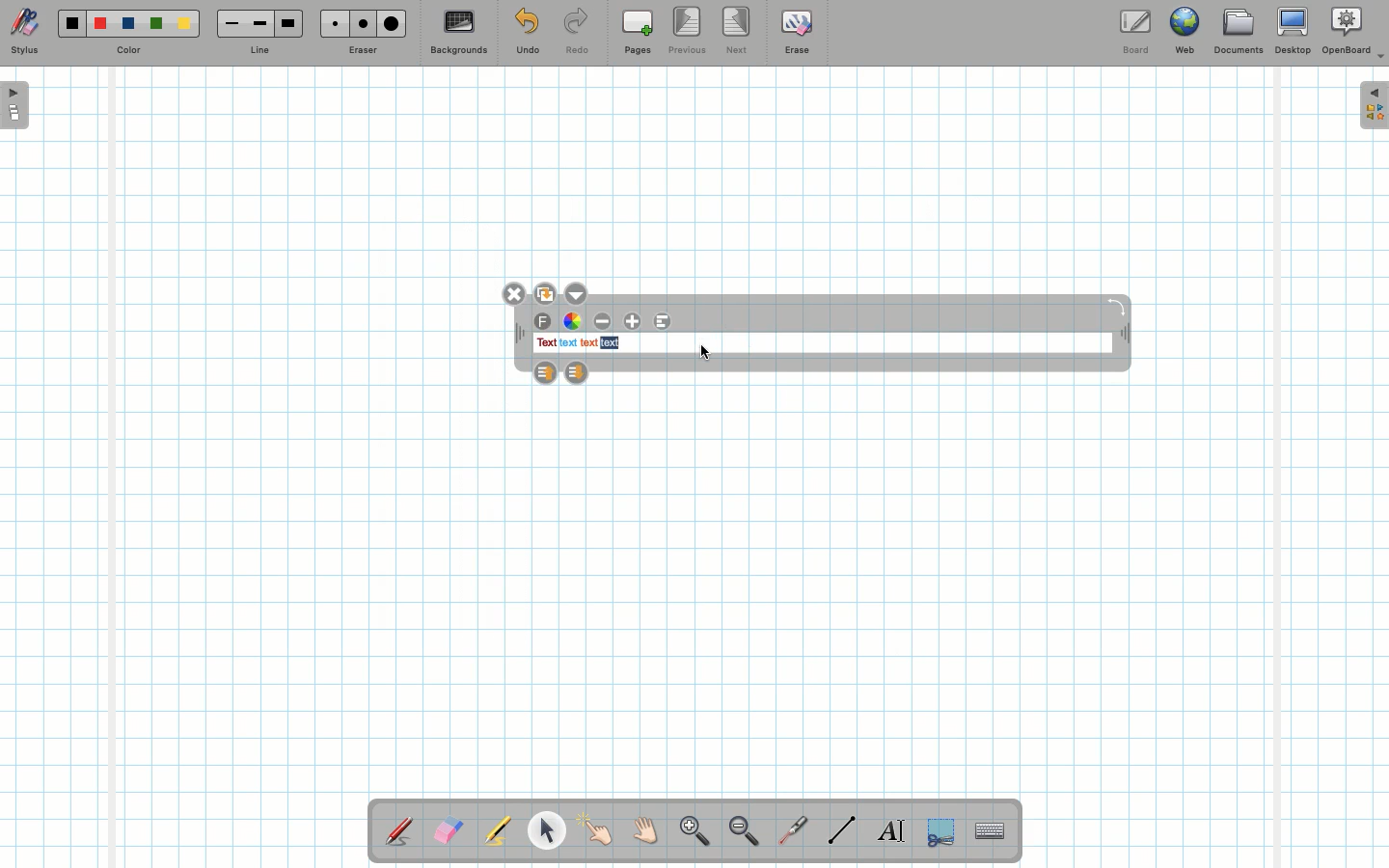  Describe the element at coordinates (496, 832) in the screenshot. I see `Highlighter` at that location.